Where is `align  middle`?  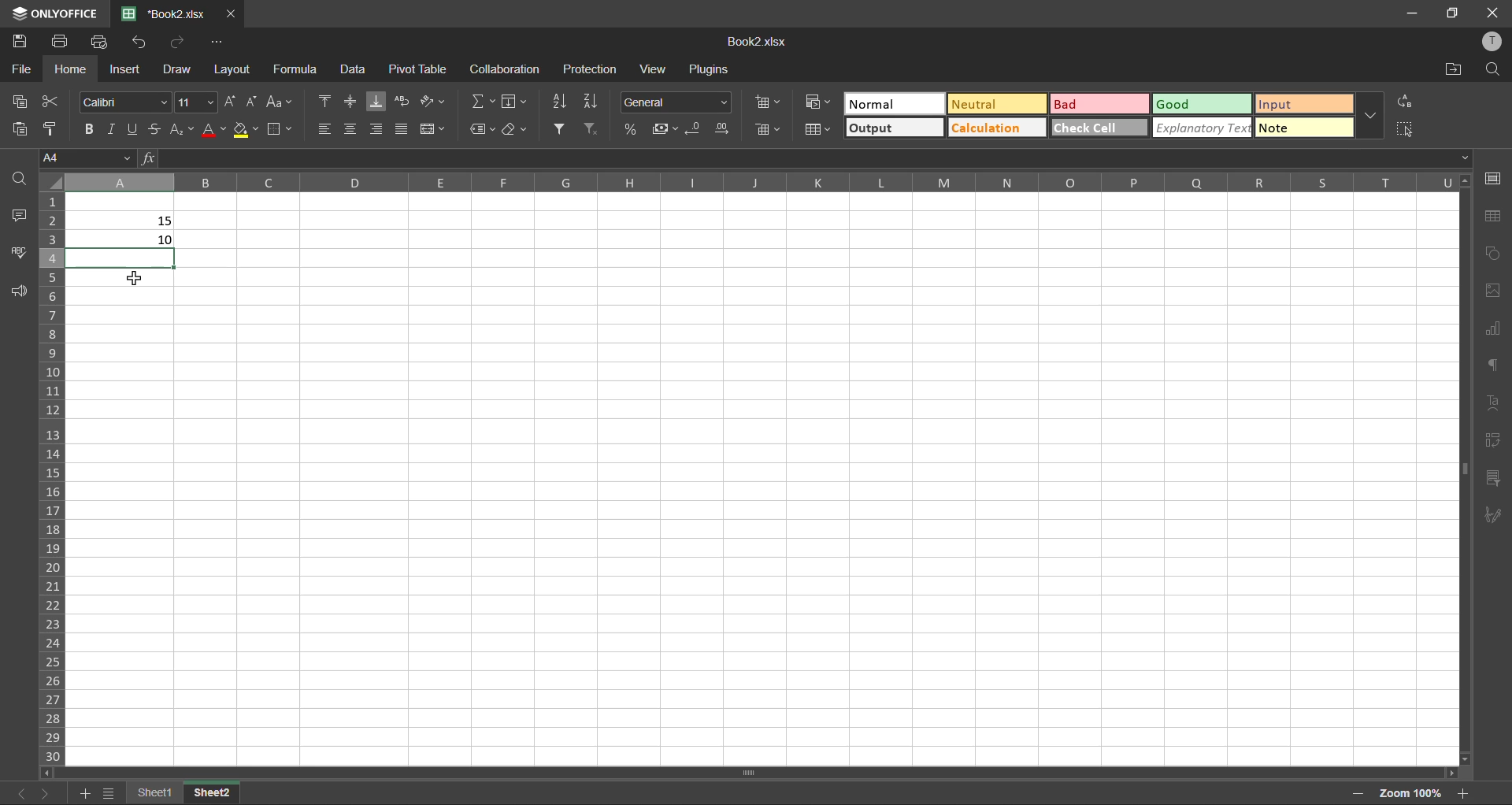
align  middle is located at coordinates (348, 101).